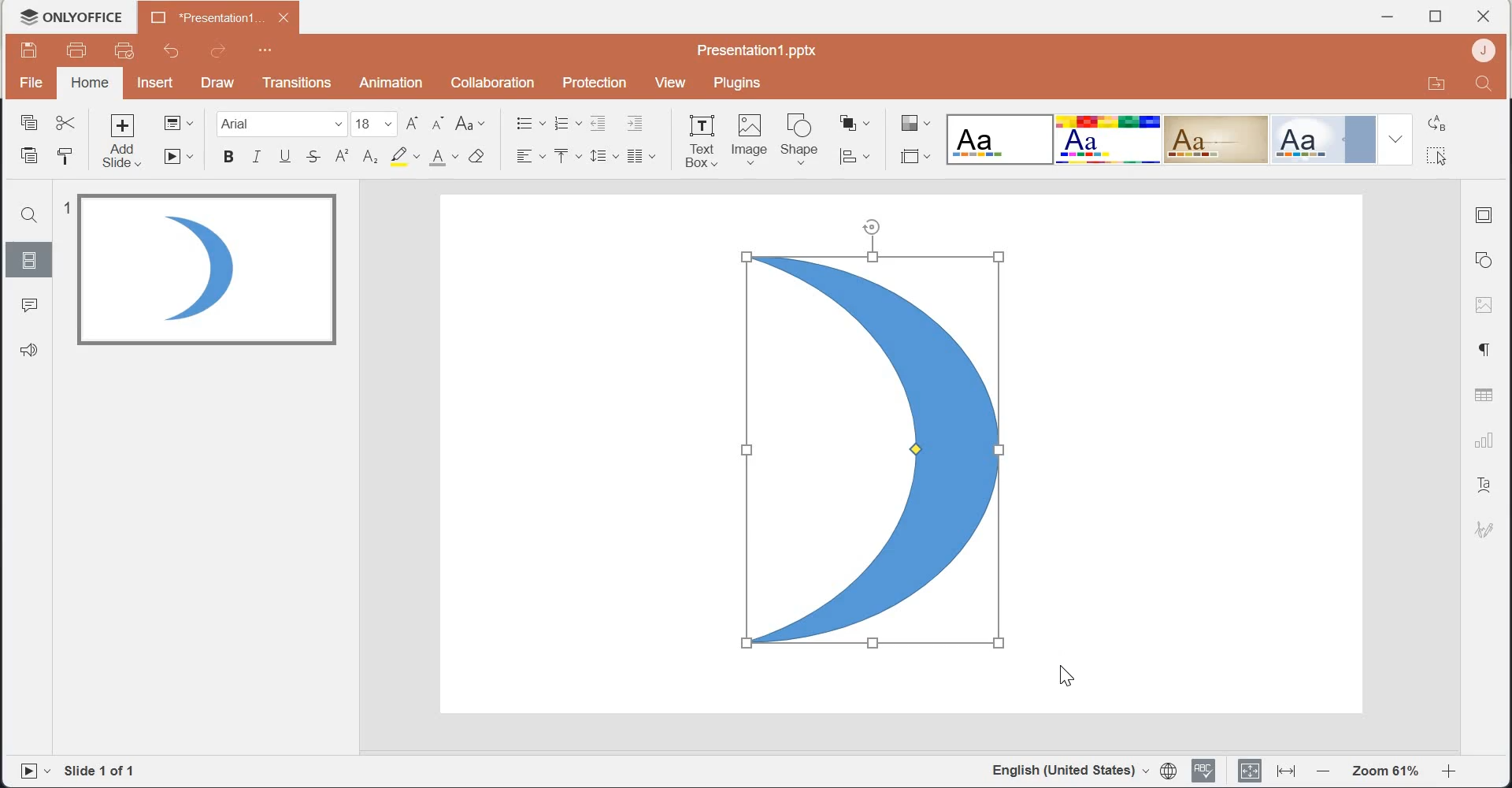 Image resolution: width=1512 pixels, height=788 pixels. I want to click on cursor, so click(1067, 672).